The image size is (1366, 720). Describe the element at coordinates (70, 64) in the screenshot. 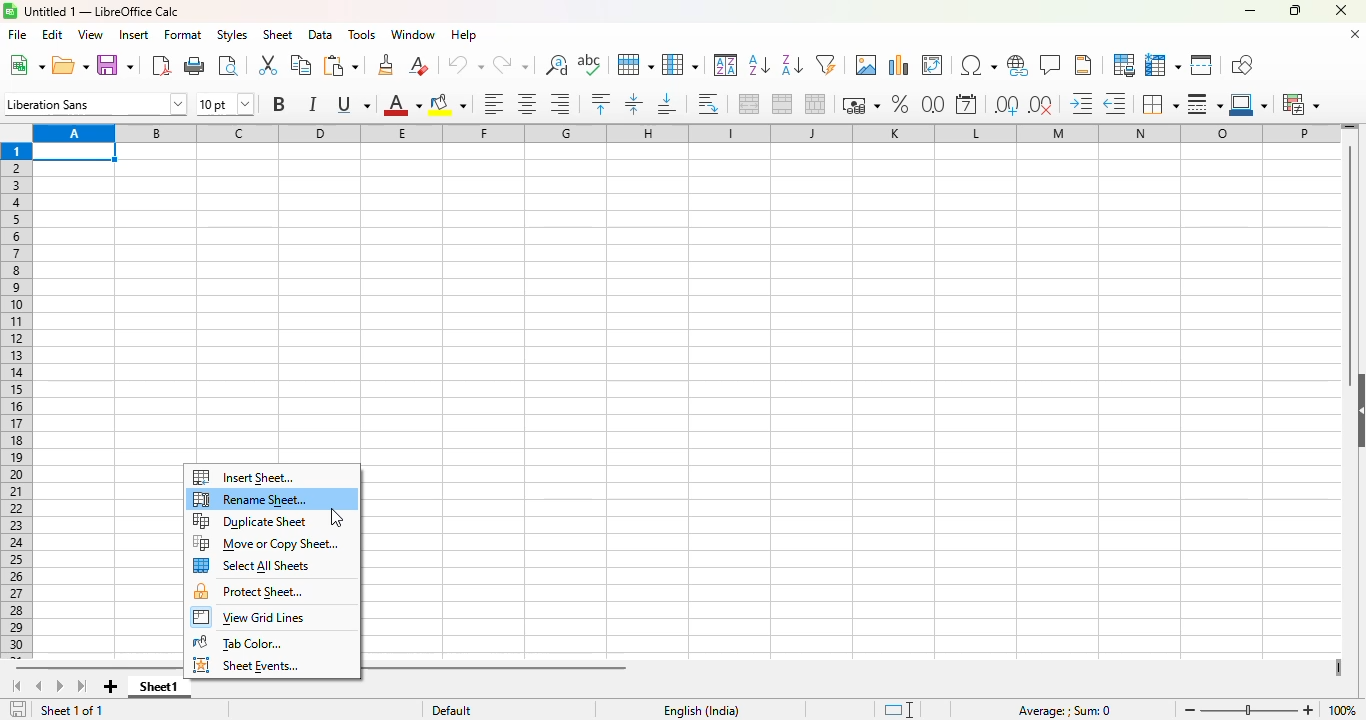

I see `open` at that location.